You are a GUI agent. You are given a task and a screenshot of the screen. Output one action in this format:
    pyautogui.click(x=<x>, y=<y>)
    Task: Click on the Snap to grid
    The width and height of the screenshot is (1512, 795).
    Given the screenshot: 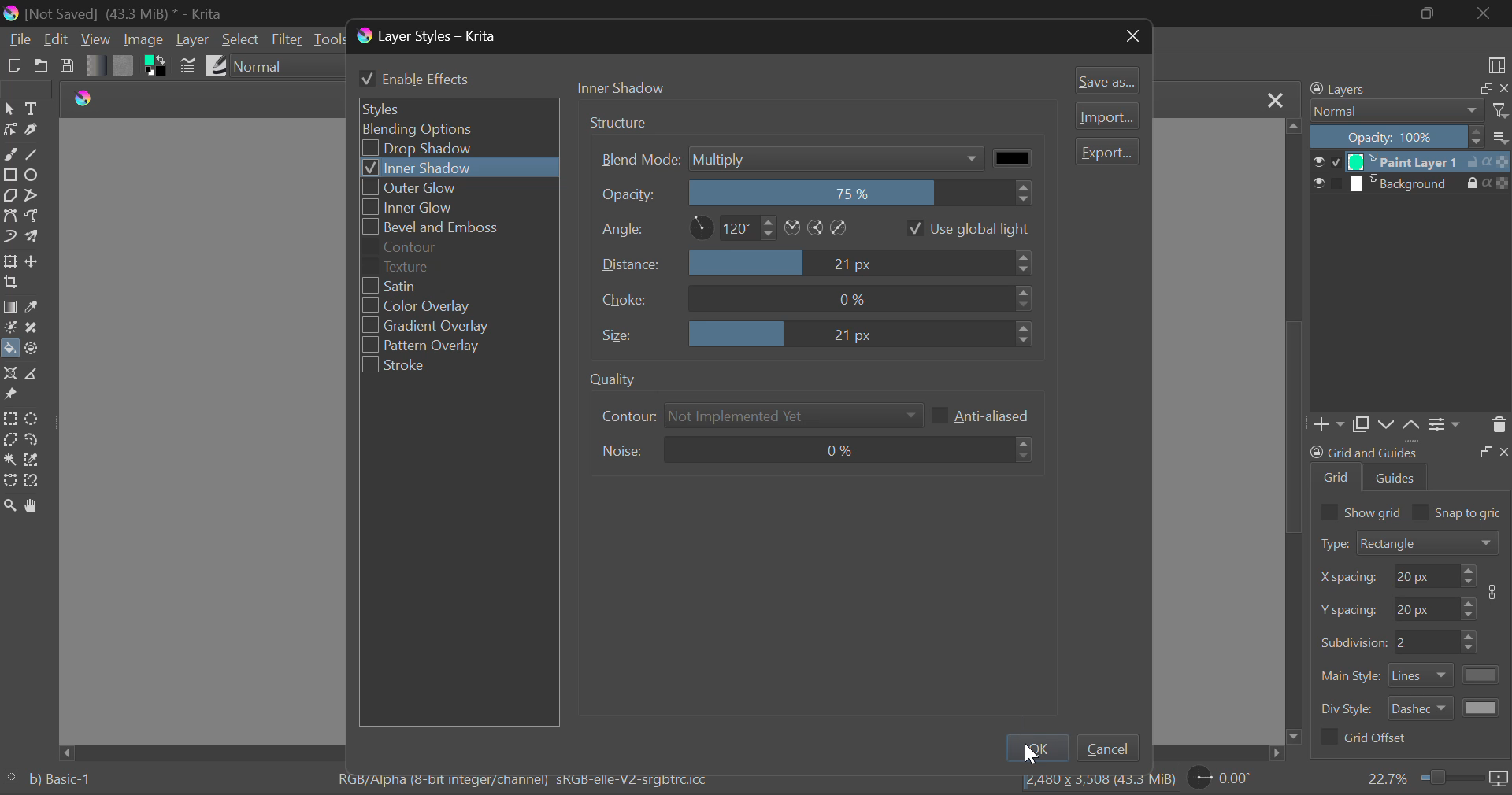 What is the action you would take?
    pyautogui.click(x=1460, y=511)
    